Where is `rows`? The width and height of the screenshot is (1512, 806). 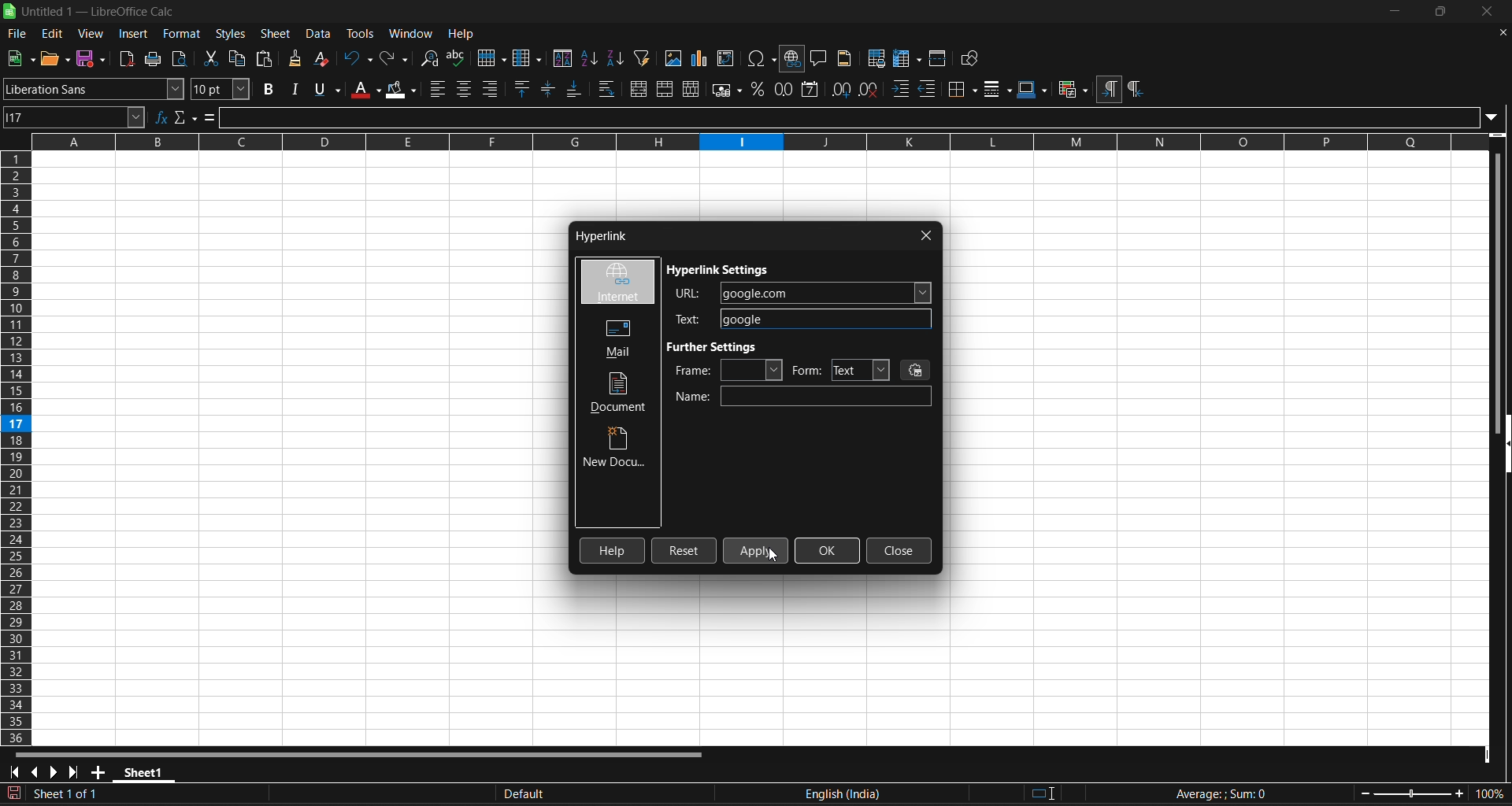
rows is located at coordinates (749, 147).